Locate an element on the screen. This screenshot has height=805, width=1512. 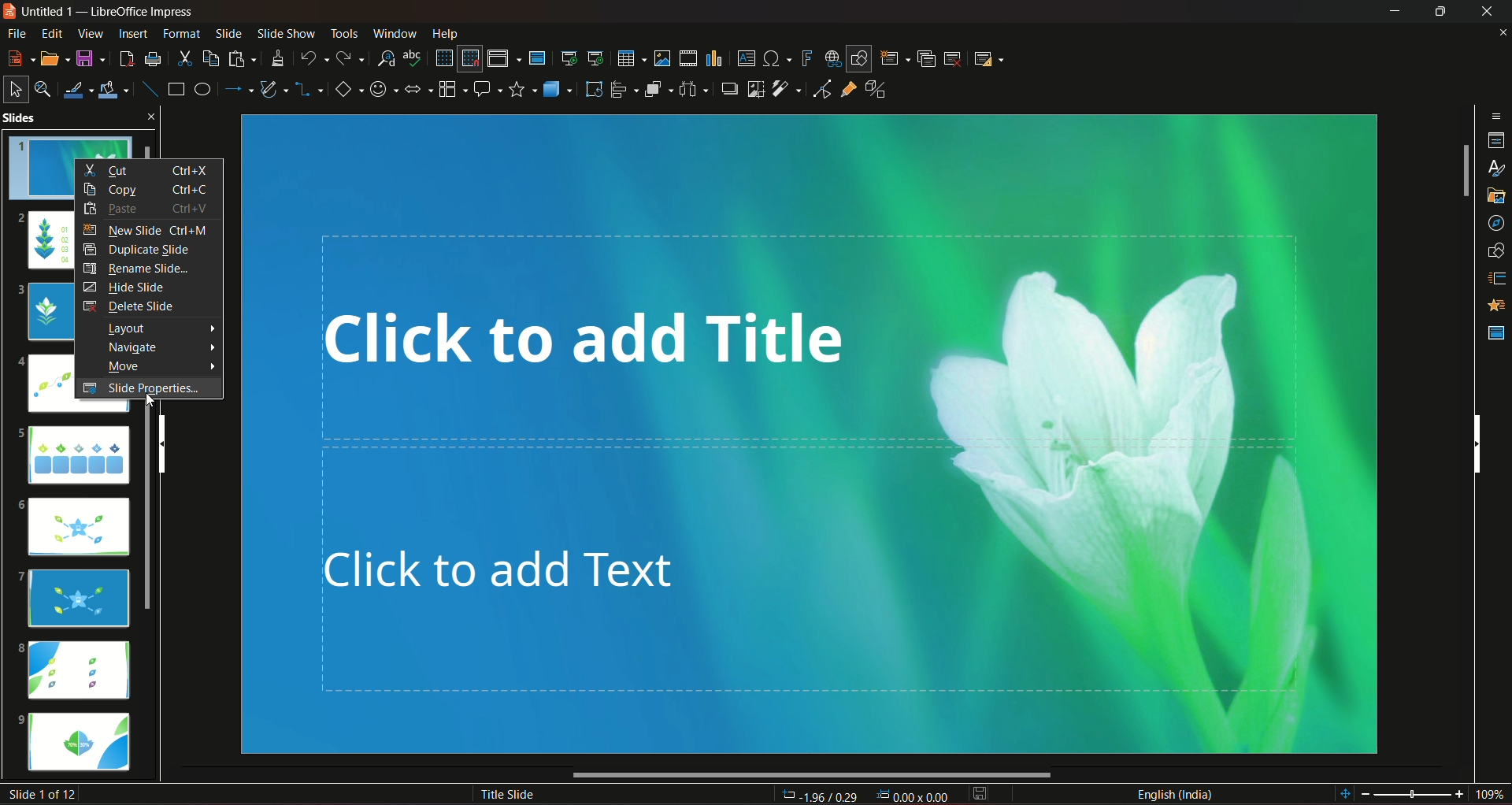
arrange is located at coordinates (658, 91).